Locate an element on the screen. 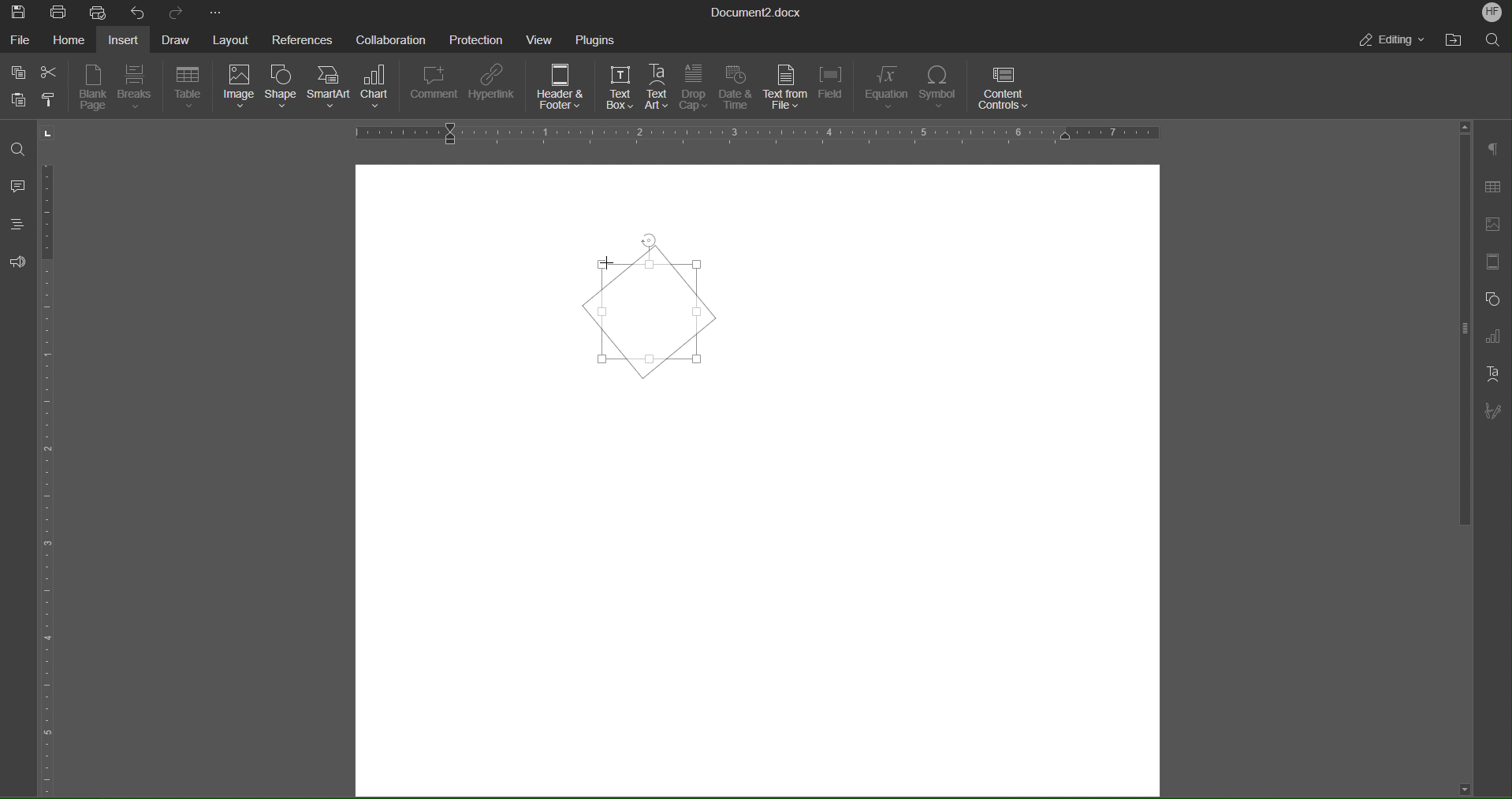 This screenshot has height=799, width=1512. Breaks is located at coordinates (138, 88).